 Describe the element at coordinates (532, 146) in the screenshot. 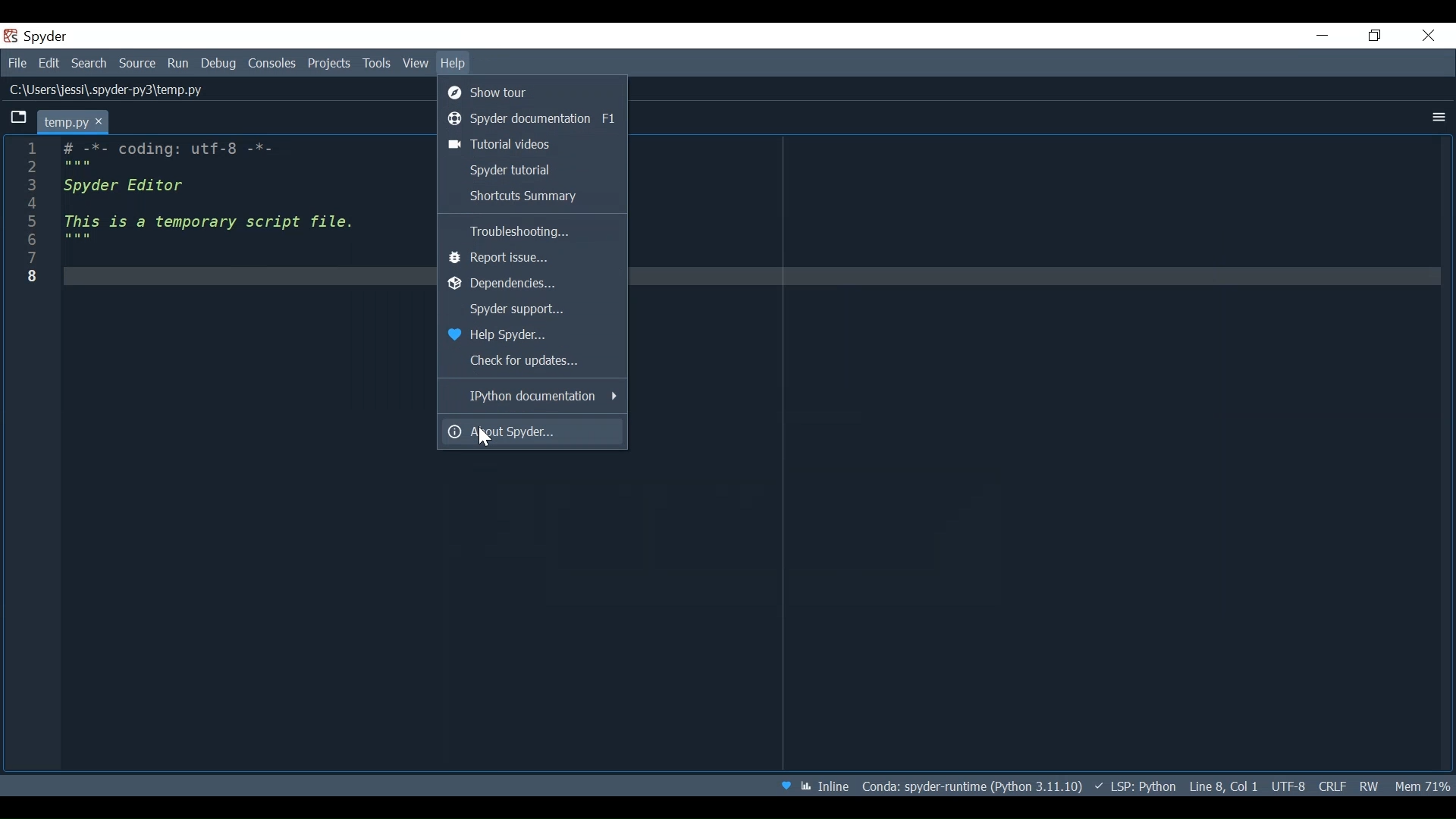

I see `Tutorial Videos` at that location.